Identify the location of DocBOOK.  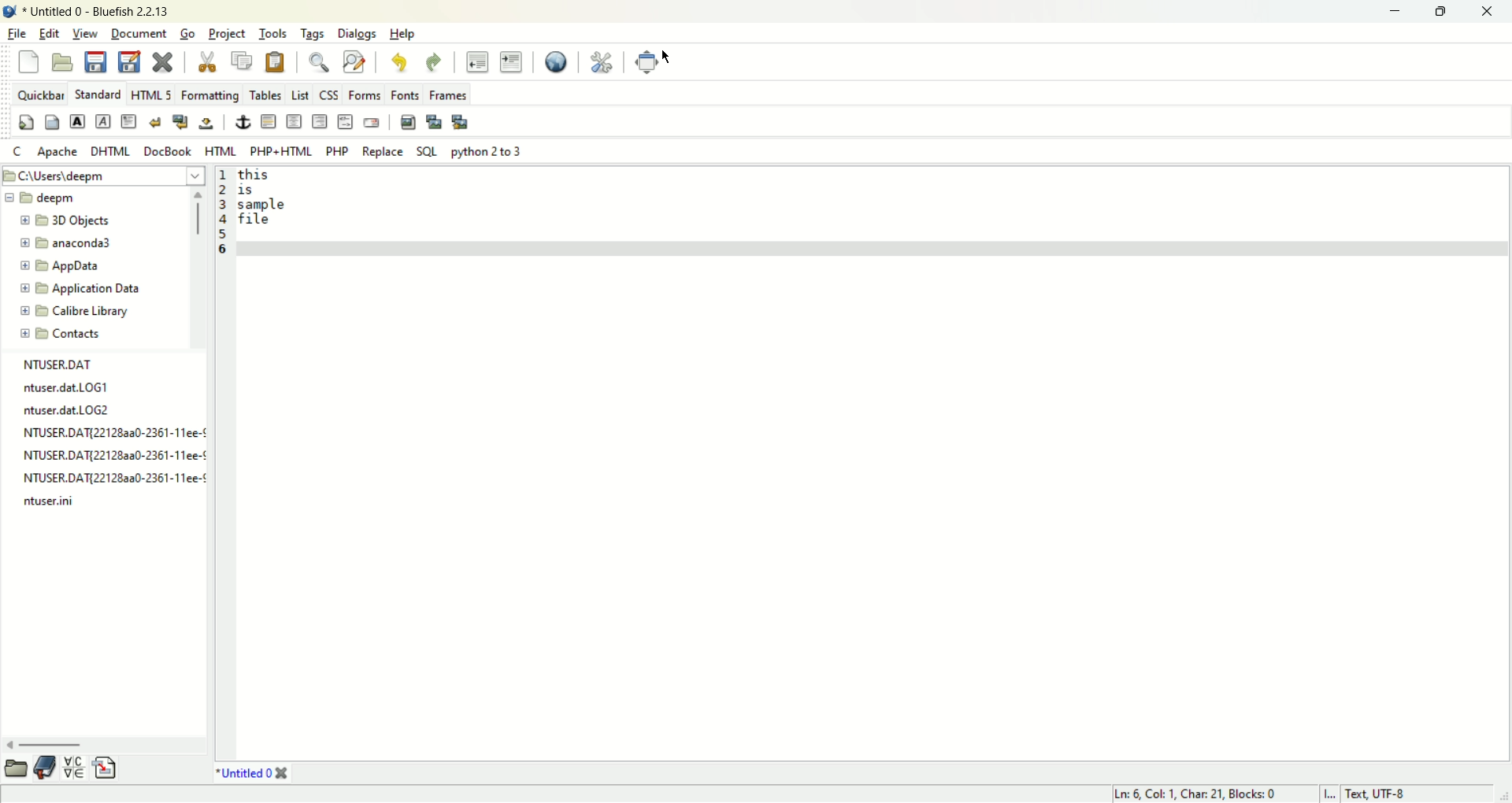
(169, 150).